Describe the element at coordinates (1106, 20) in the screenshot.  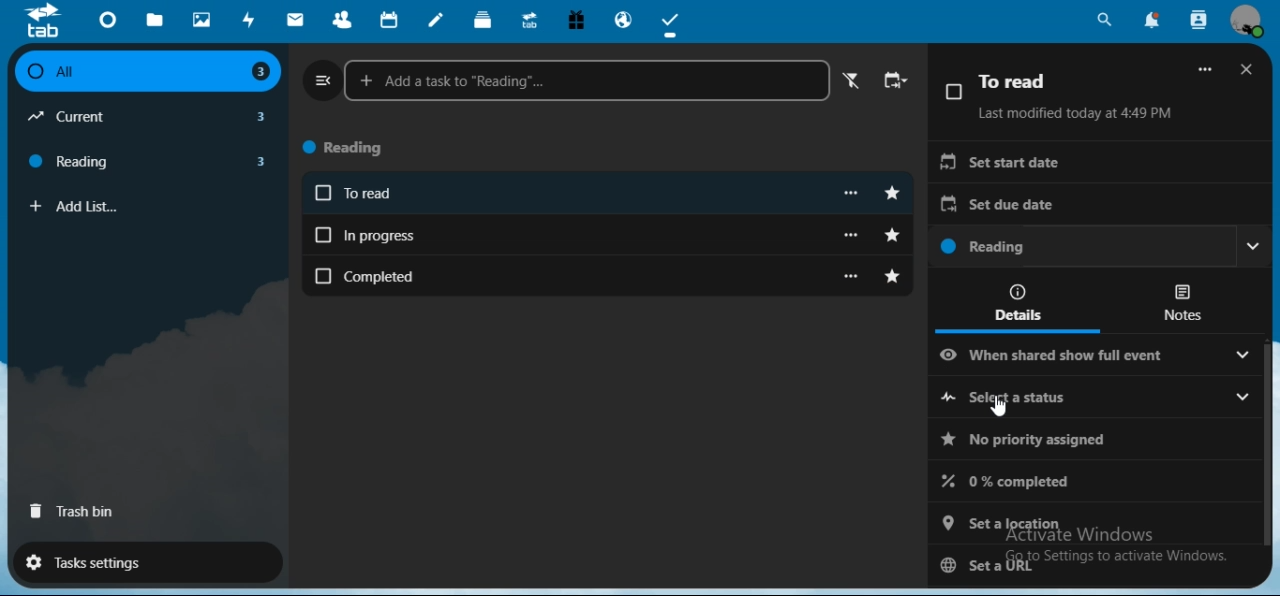
I see `search` at that location.